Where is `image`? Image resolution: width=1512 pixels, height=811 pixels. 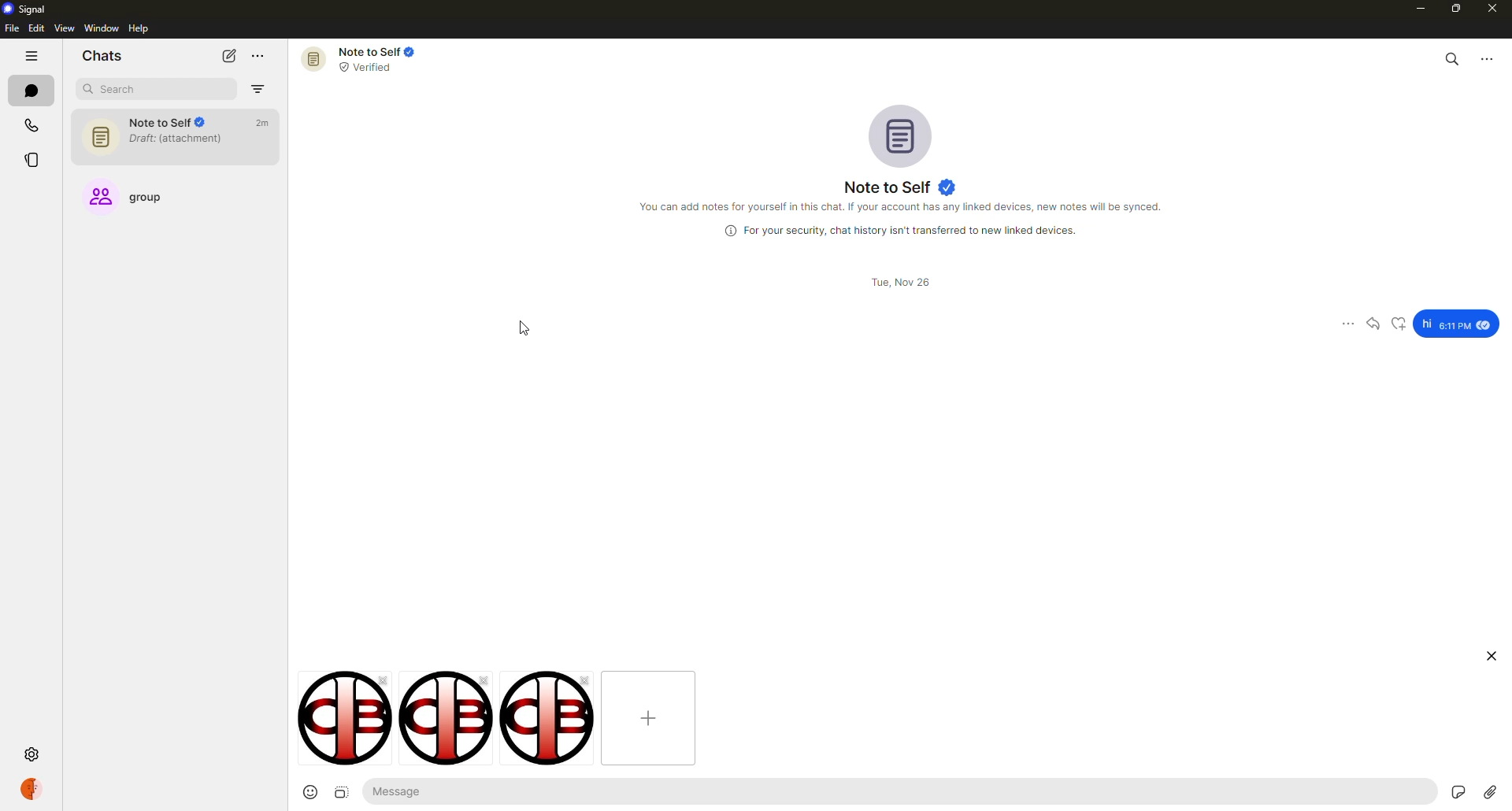
image is located at coordinates (443, 720).